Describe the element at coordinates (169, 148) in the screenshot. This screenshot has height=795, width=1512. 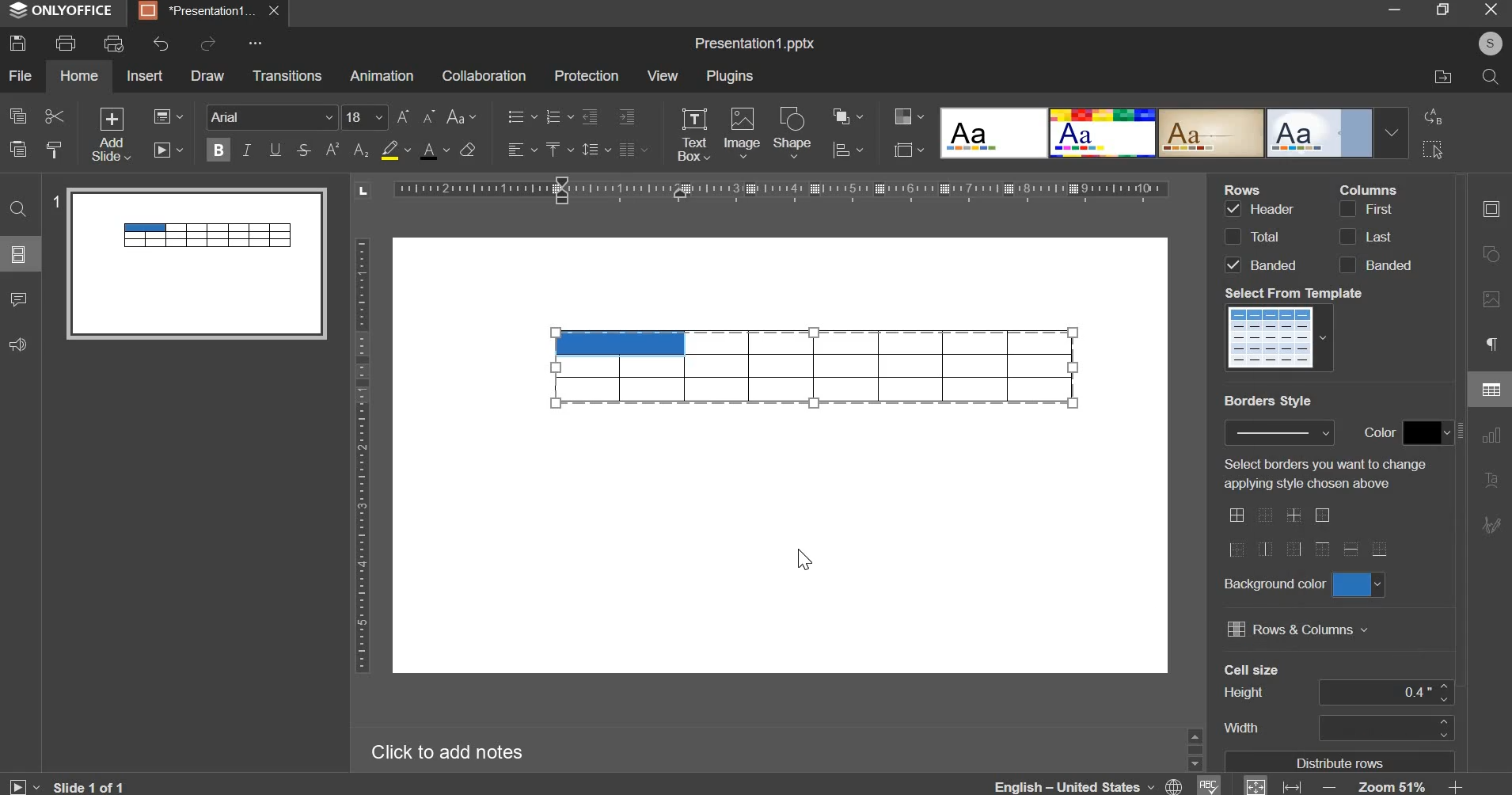
I see `slideshow` at that location.